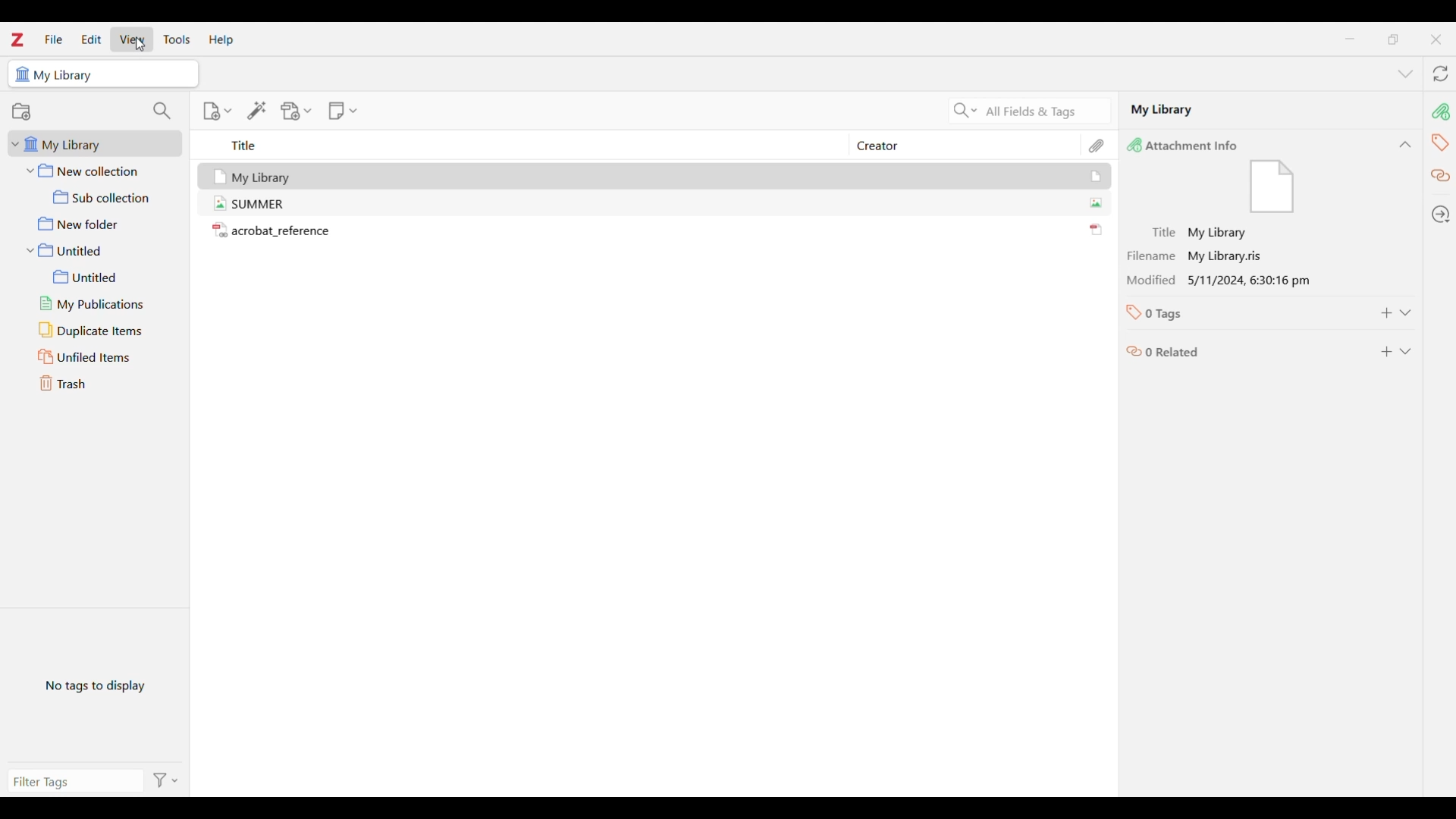 This screenshot has width=1456, height=819. I want to click on Filename of selected file, so click(1191, 256).